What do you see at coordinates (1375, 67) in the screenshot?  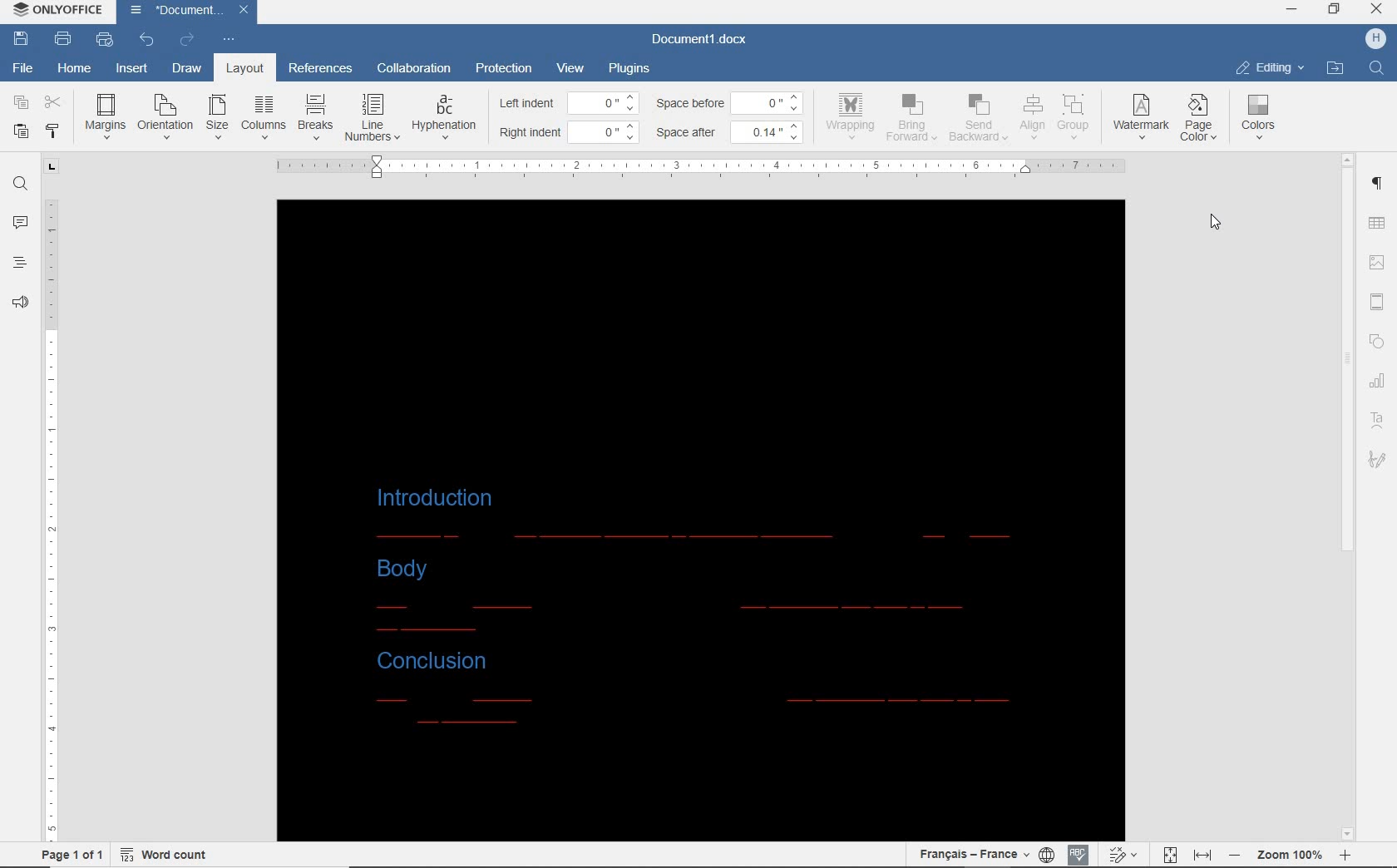 I see `find` at bounding box center [1375, 67].